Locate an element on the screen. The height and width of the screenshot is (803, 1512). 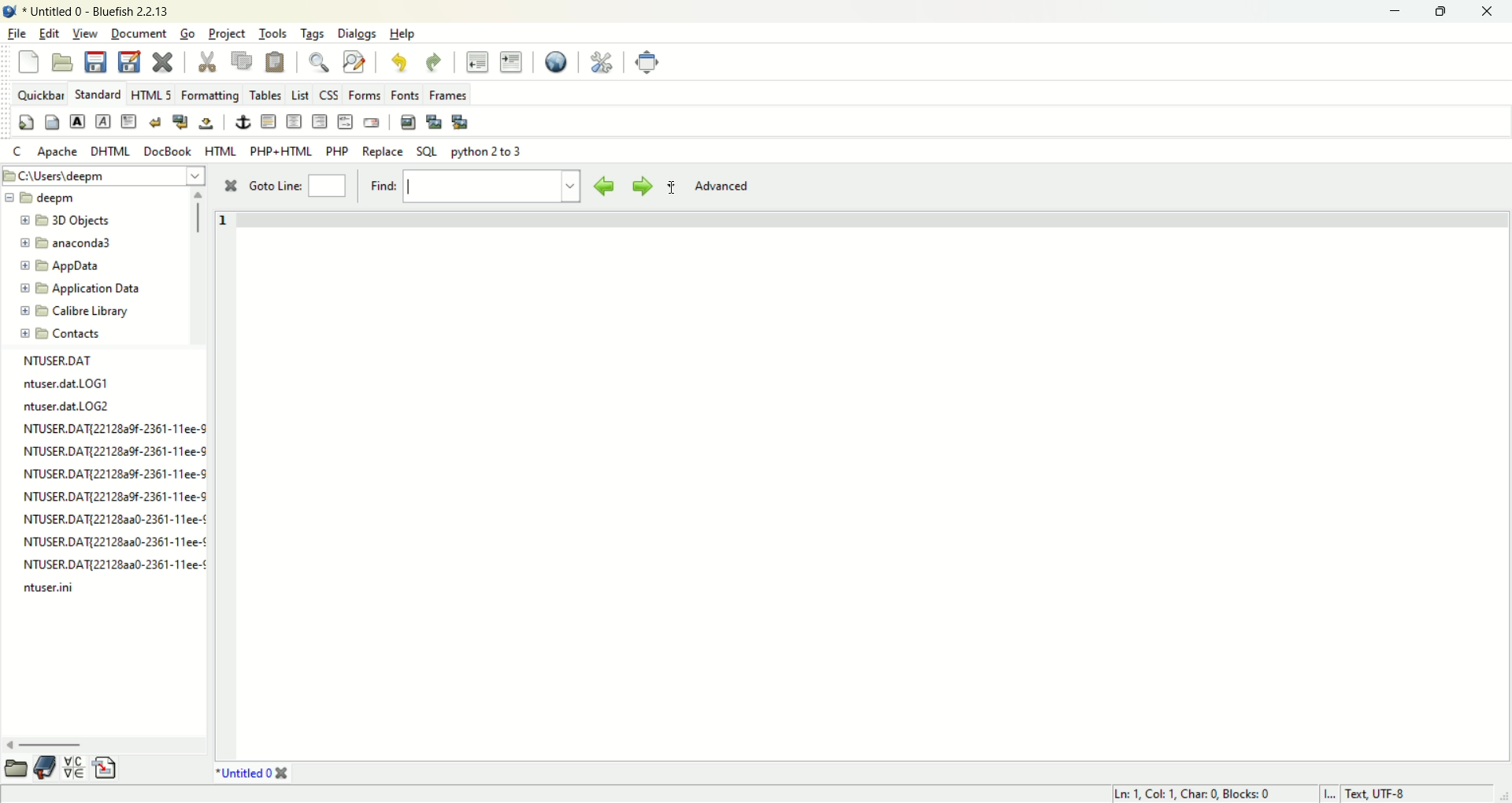
anaconda is located at coordinates (70, 244).